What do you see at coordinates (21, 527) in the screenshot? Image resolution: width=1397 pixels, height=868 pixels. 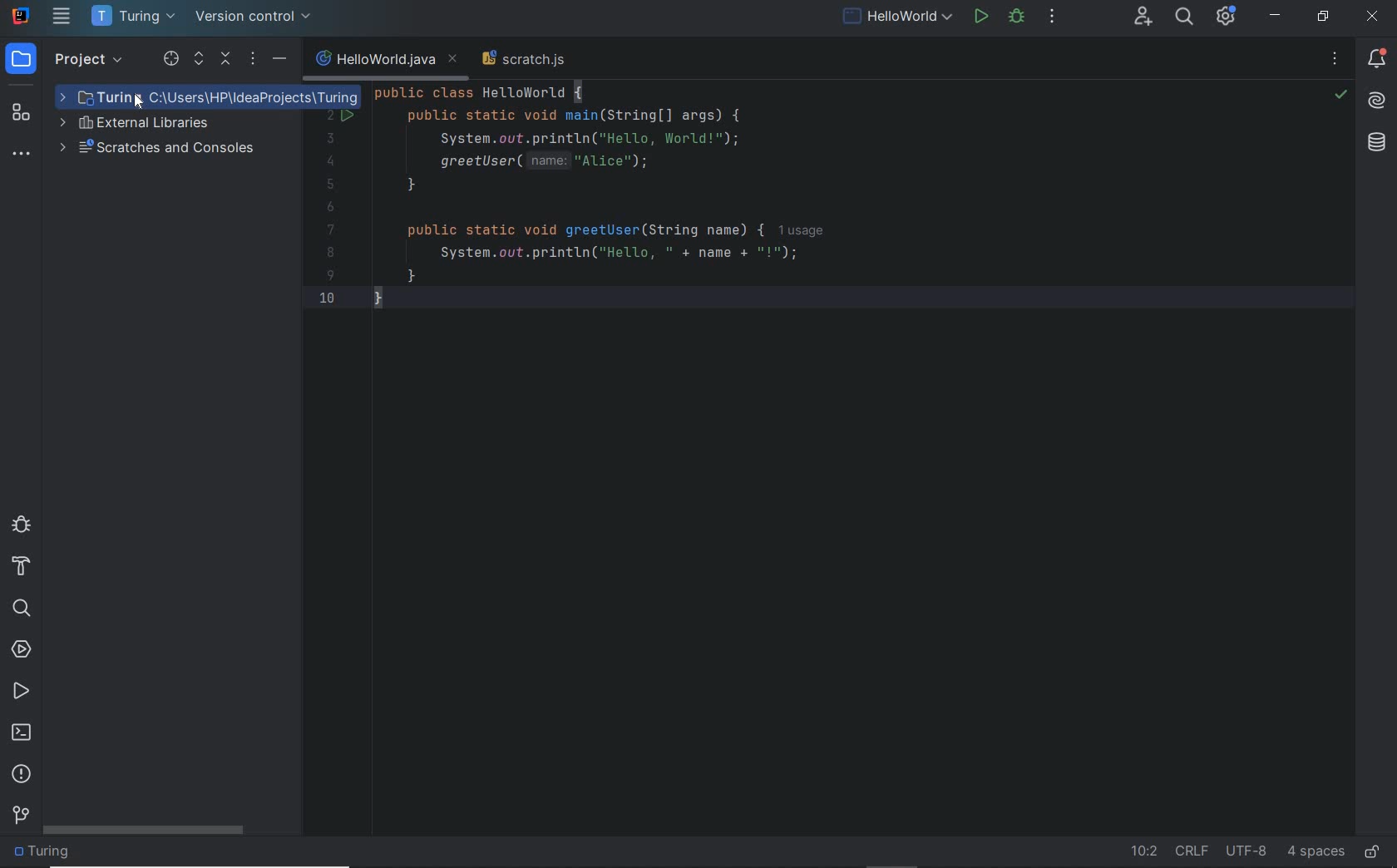 I see `debug` at bounding box center [21, 527].